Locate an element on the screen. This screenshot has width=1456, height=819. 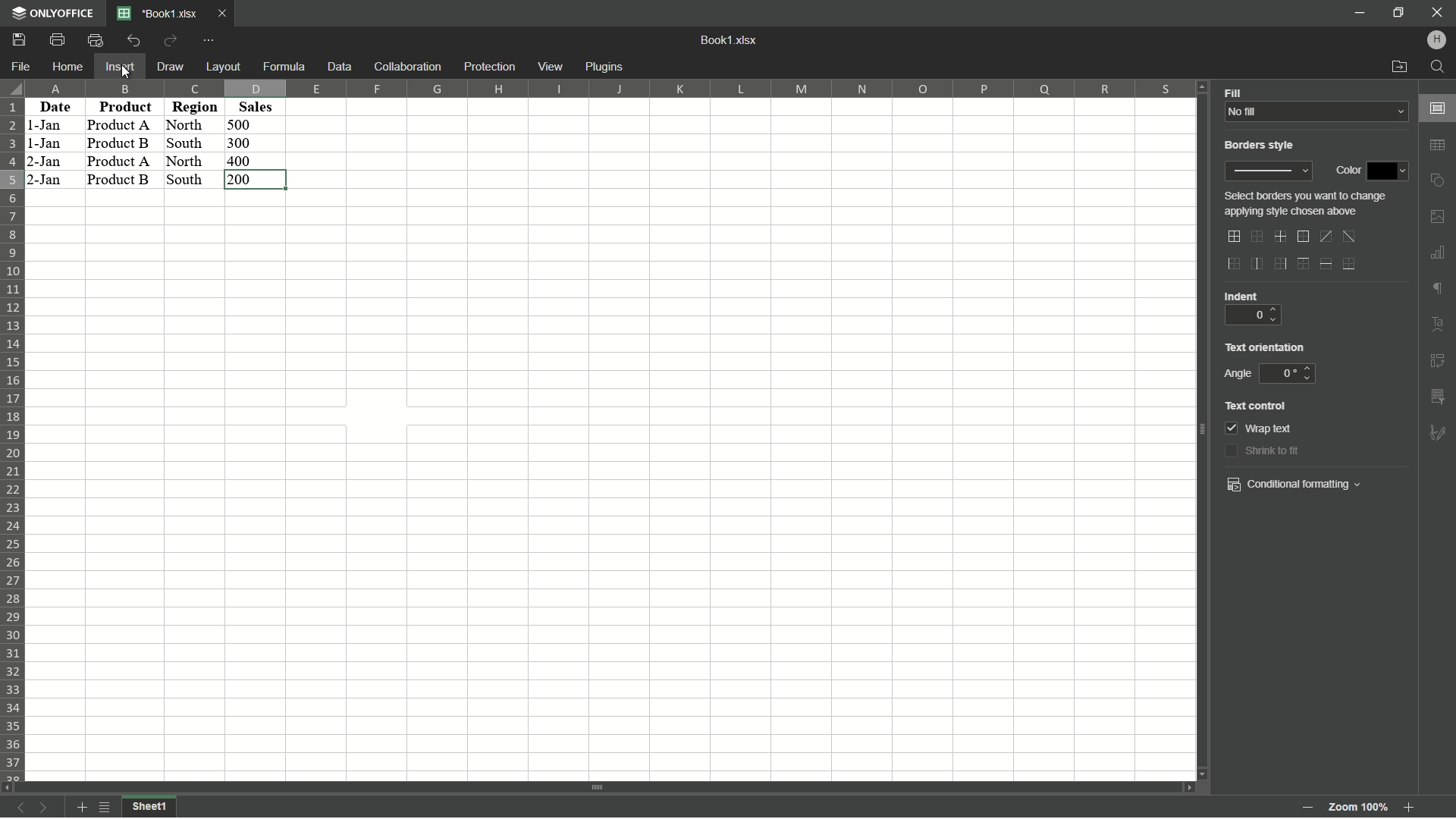
scroll bar is located at coordinates (1200, 431).